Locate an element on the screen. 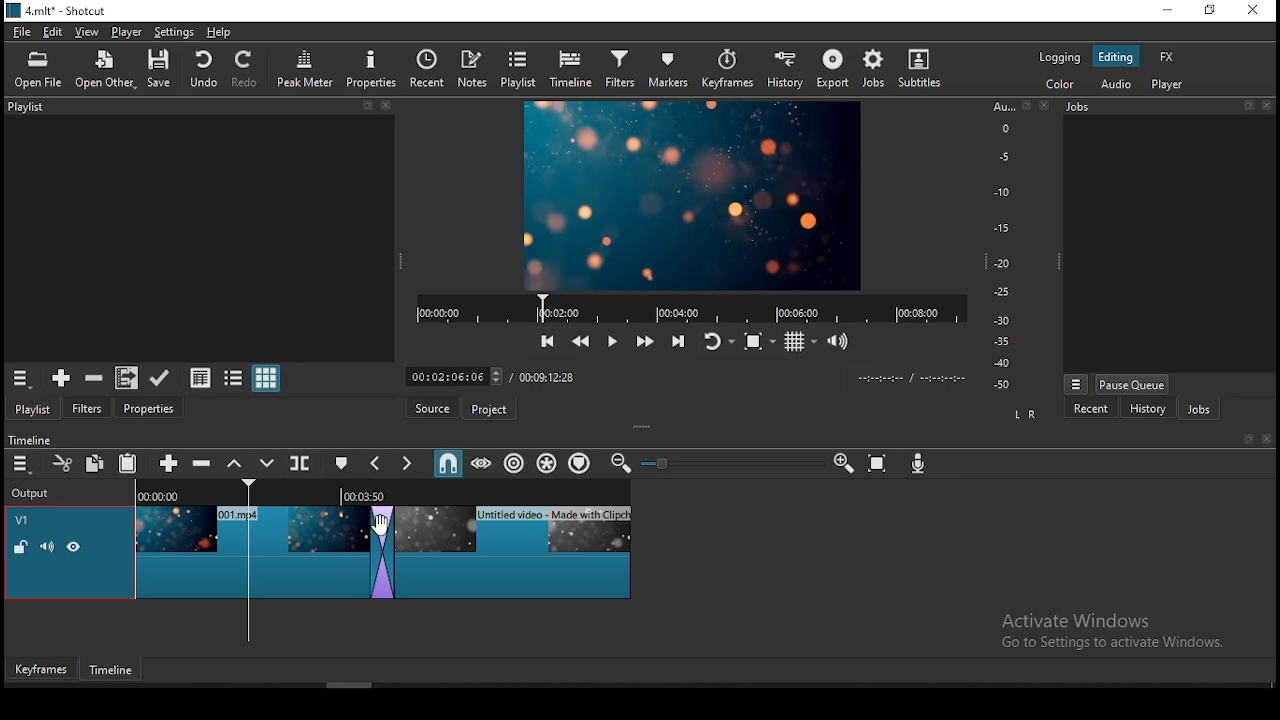 Image resolution: width=1280 pixels, height=720 pixels. jobs is located at coordinates (1172, 107).